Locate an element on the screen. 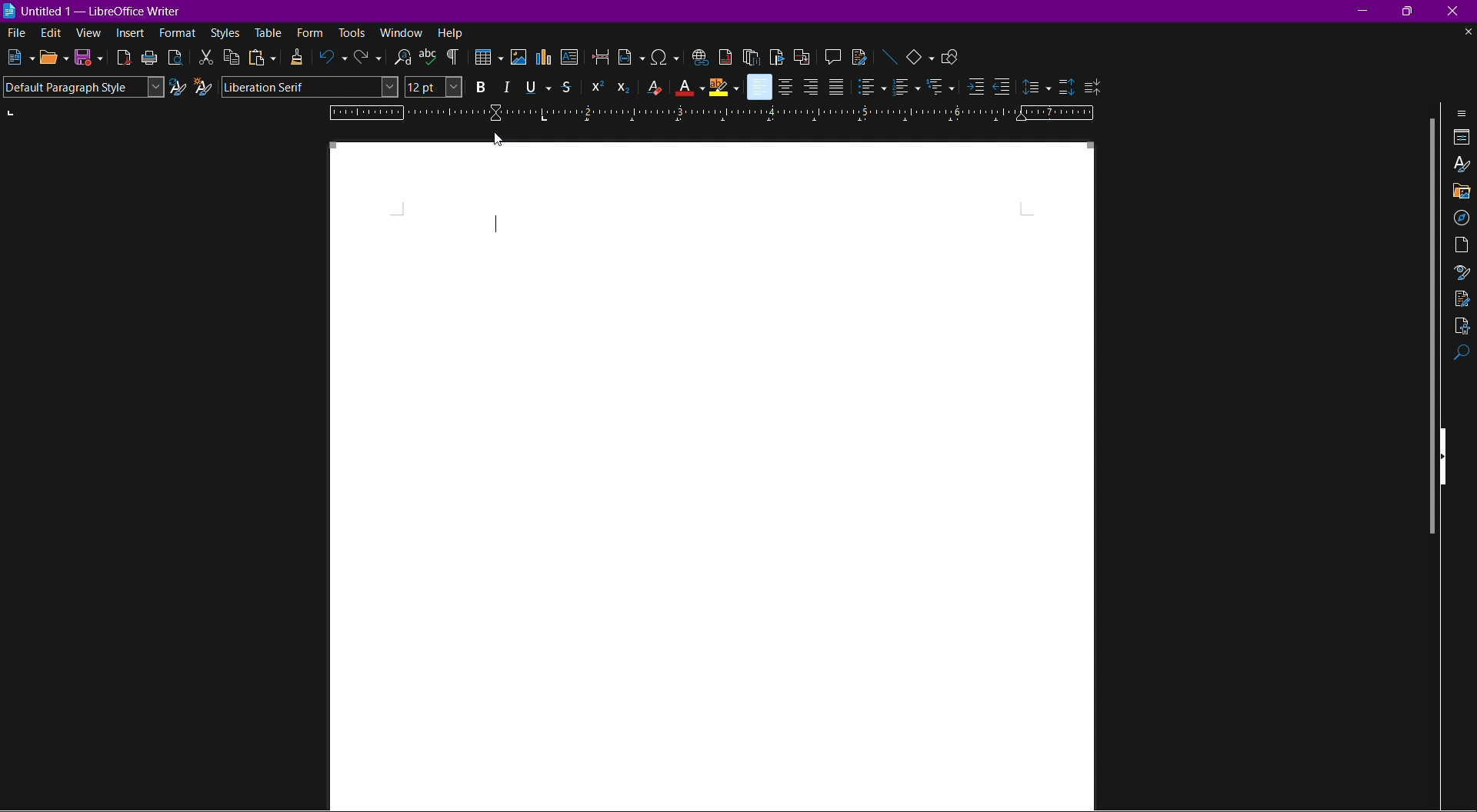  text cursor is located at coordinates (495, 223).